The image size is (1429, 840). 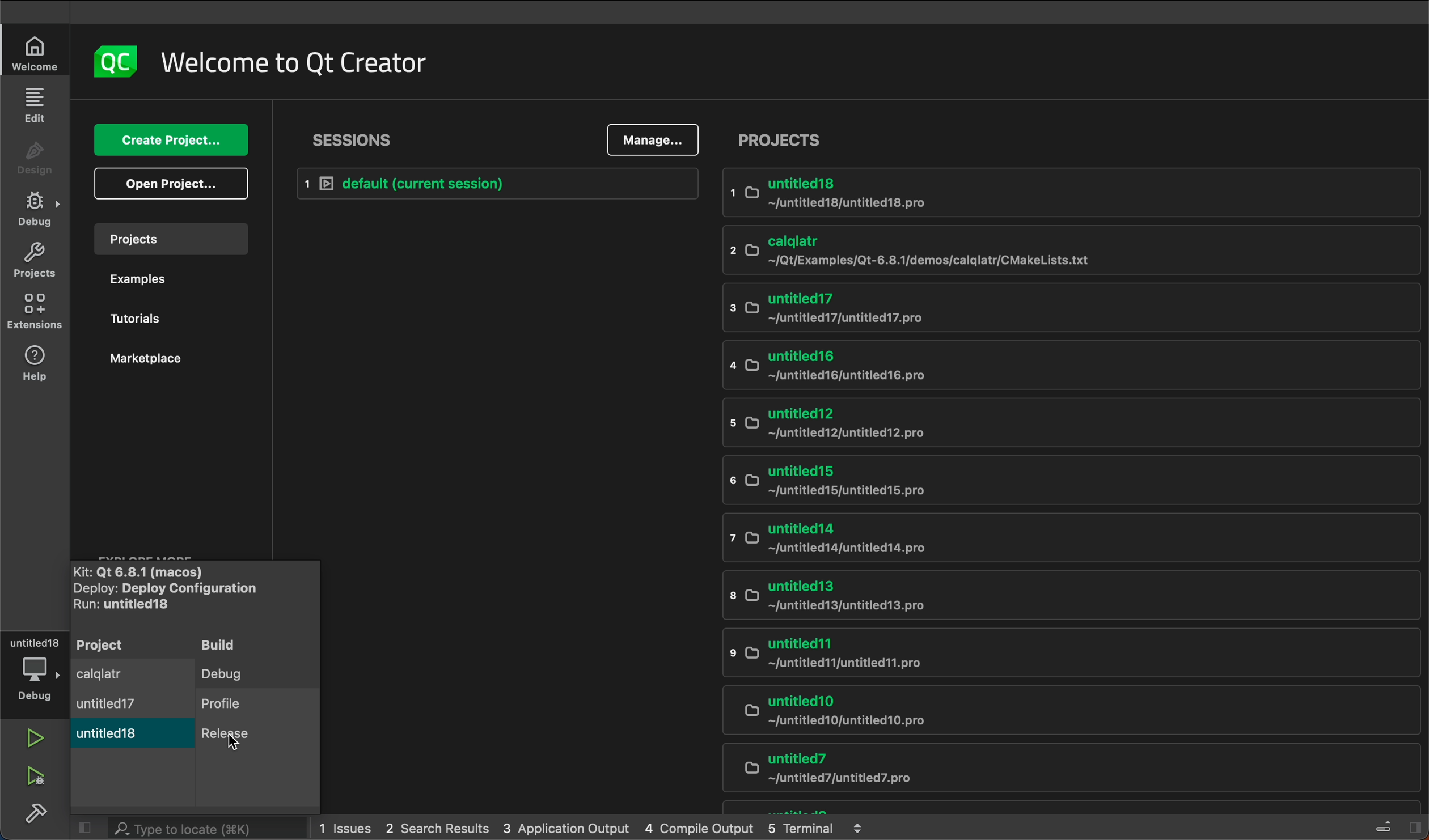 I want to click on open, so click(x=167, y=185).